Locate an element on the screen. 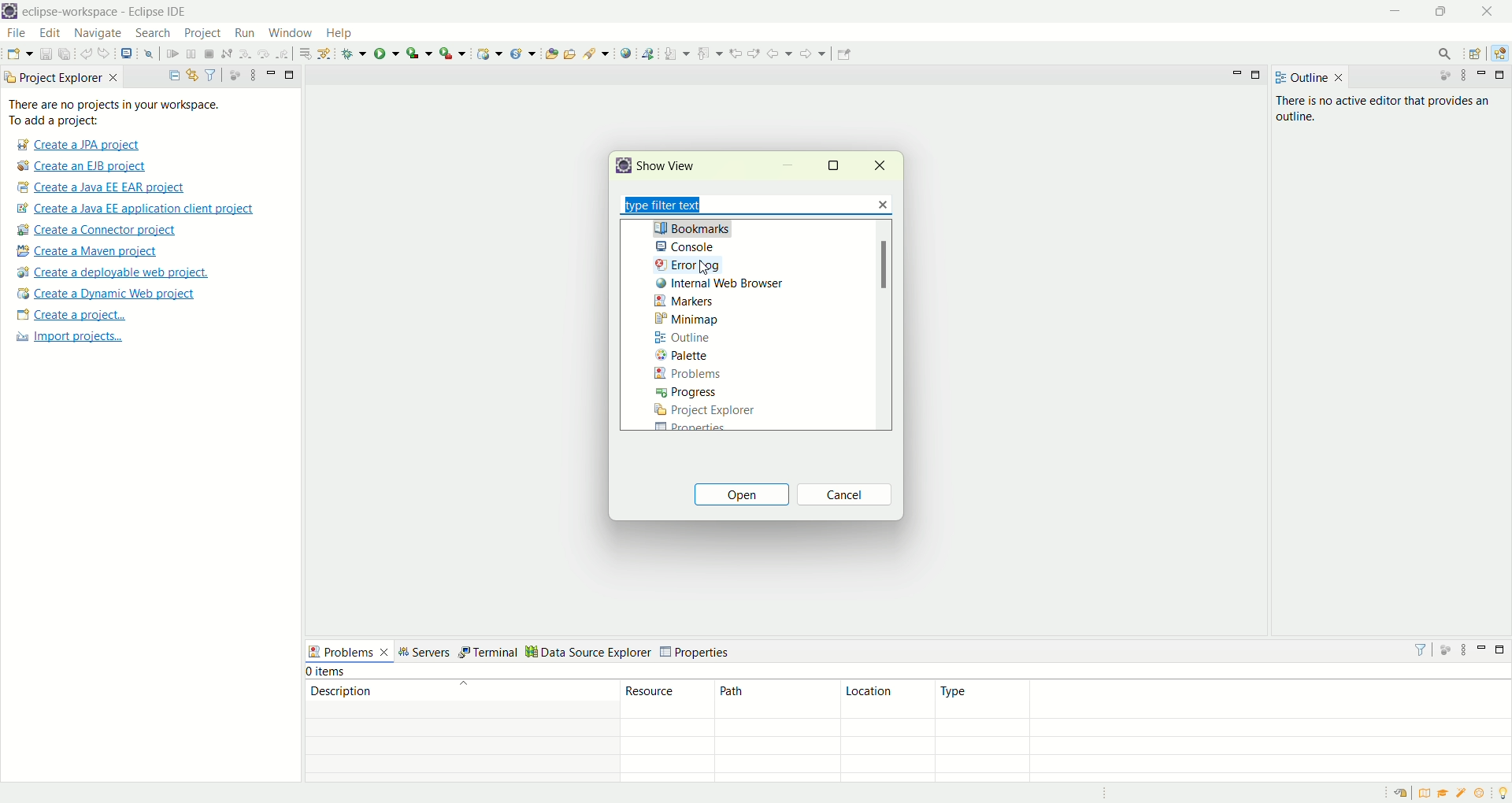  open perspective is located at coordinates (1473, 52).